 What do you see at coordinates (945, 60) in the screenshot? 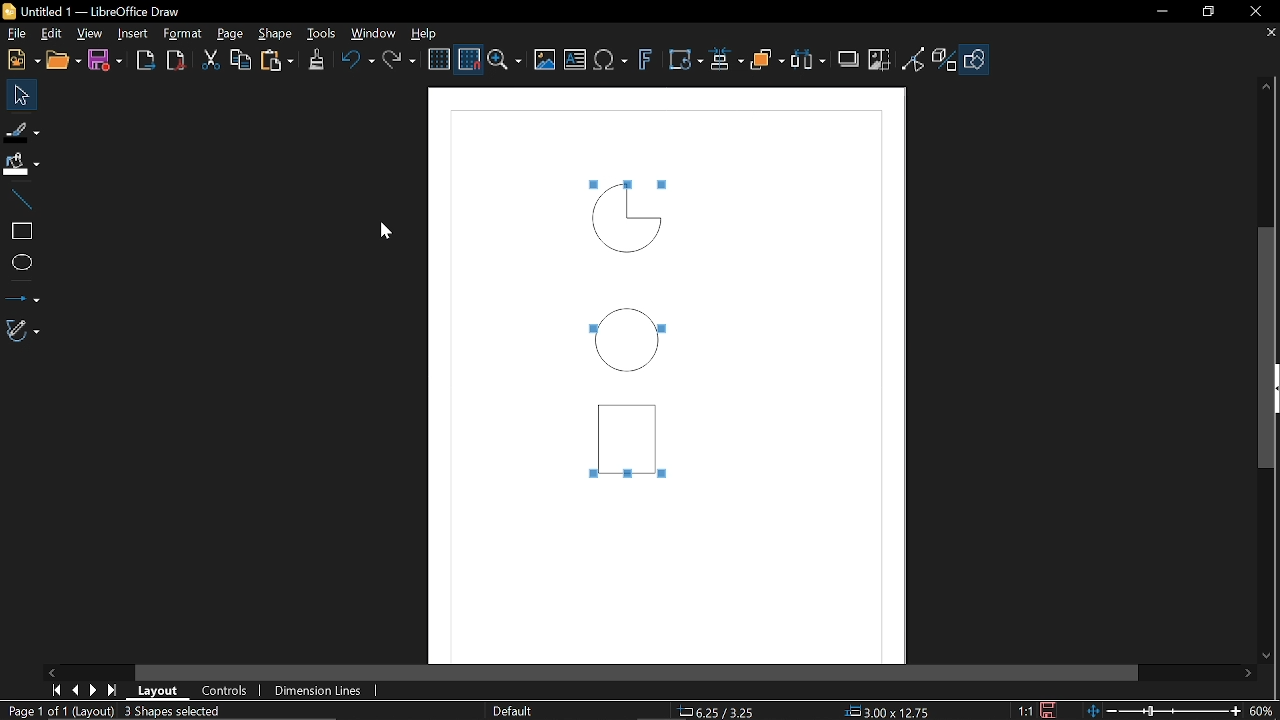
I see `Toggle extrusion` at bounding box center [945, 60].